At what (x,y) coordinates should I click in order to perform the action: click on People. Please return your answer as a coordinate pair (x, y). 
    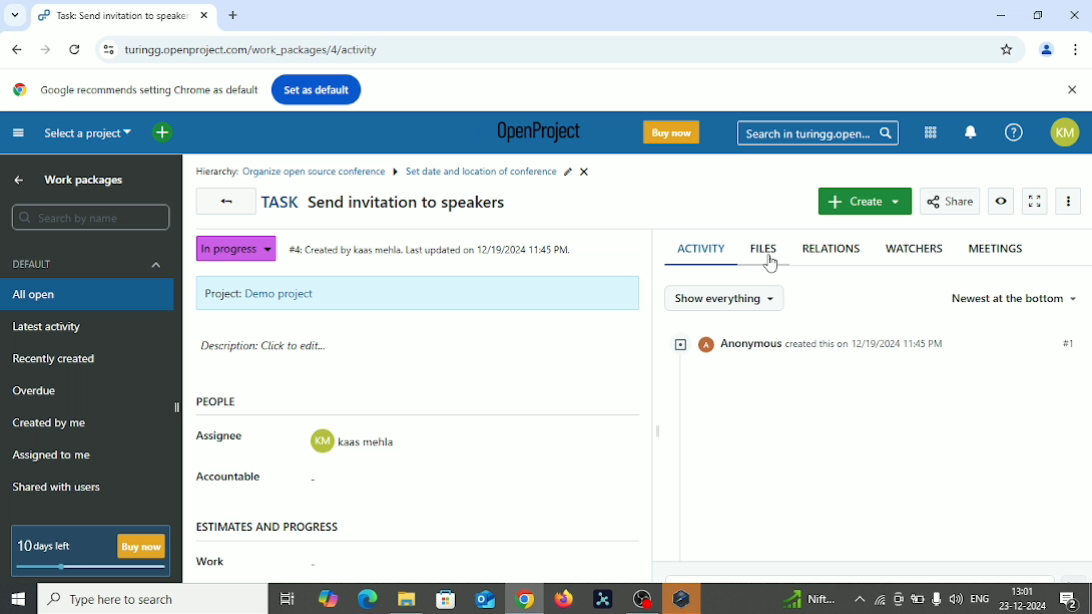
    Looking at the image, I should click on (223, 403).